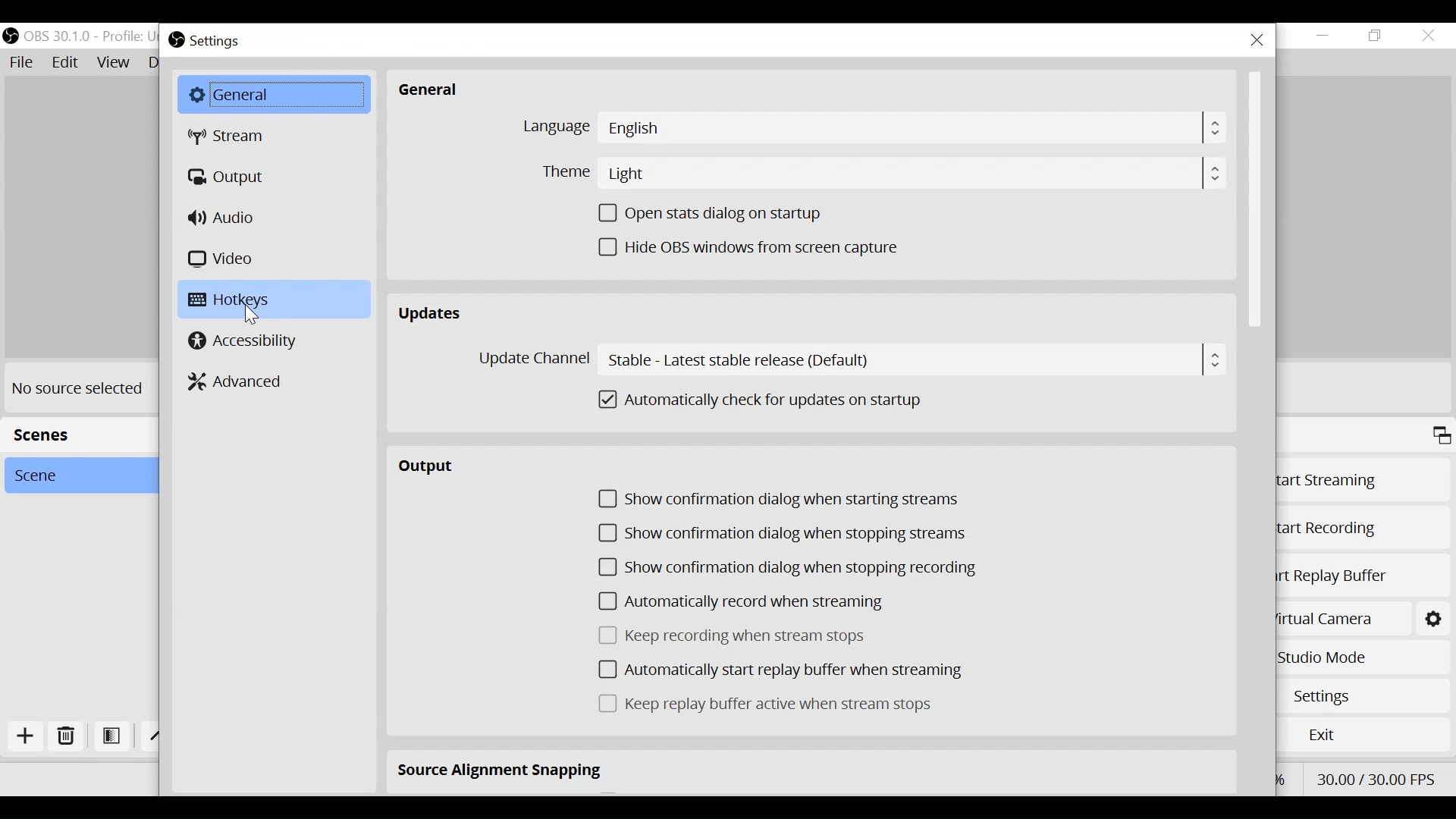 The image size is (1456, 819). What do you see at coordinates (1363, 482) in the screenshot?
I see `Start Streaming` at bounding box center [1363, 482].